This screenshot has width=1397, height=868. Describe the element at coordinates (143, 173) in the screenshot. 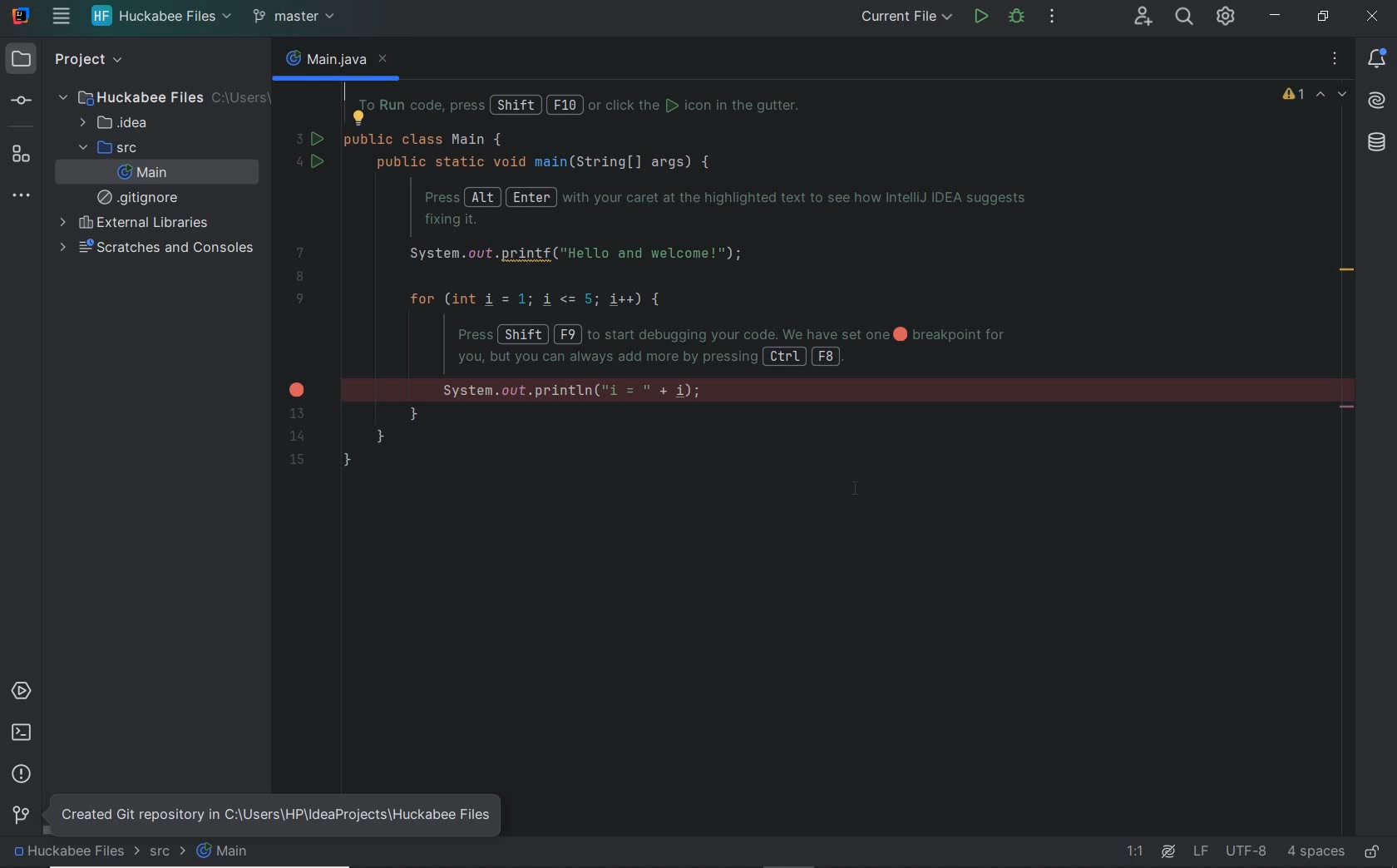

I see `main` at that location.